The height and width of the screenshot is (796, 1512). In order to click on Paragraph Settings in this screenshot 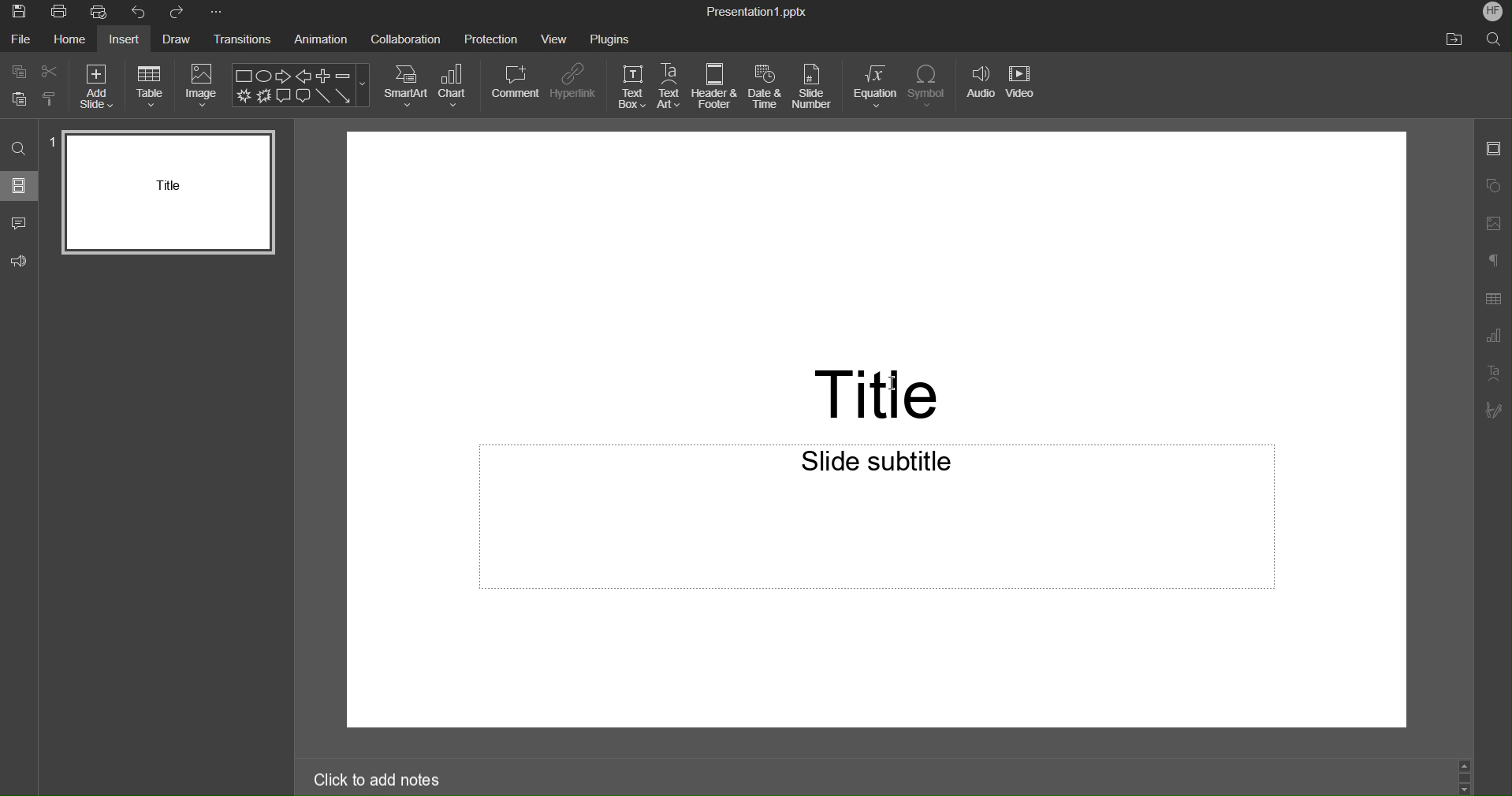, I will do `click(1492, 262)`.